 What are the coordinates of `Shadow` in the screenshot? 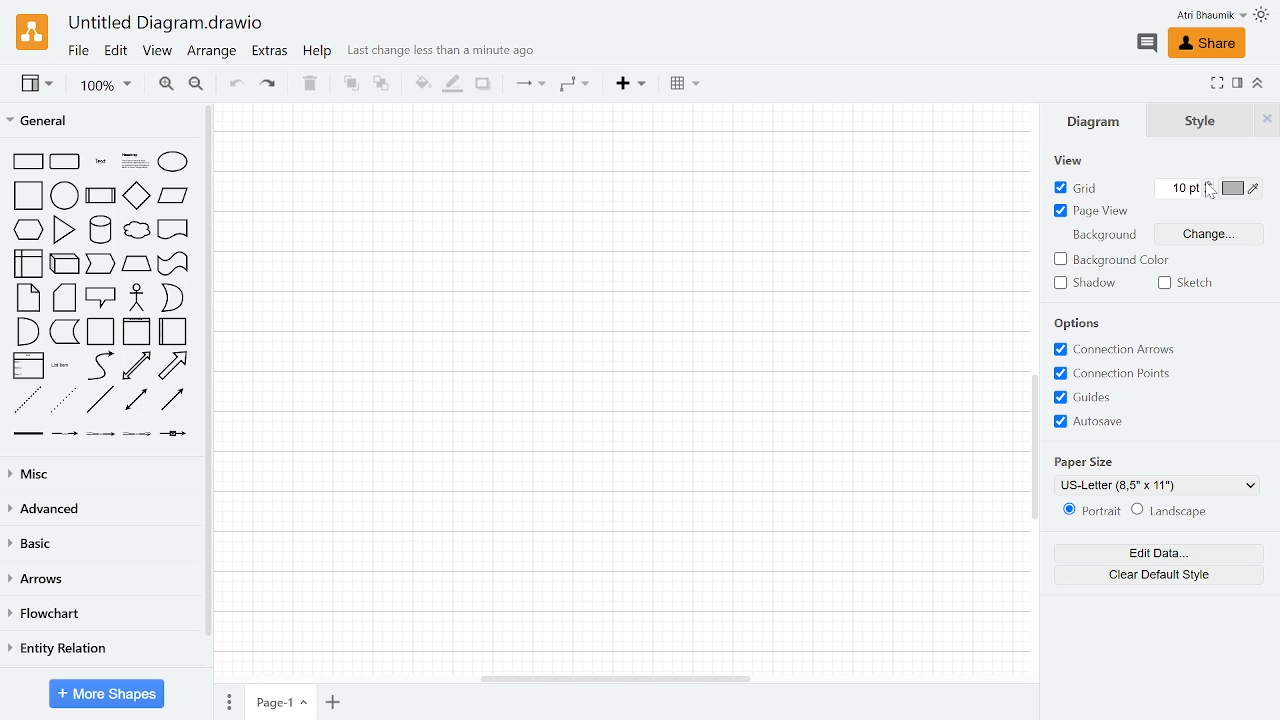 It's located at (1086, 285).